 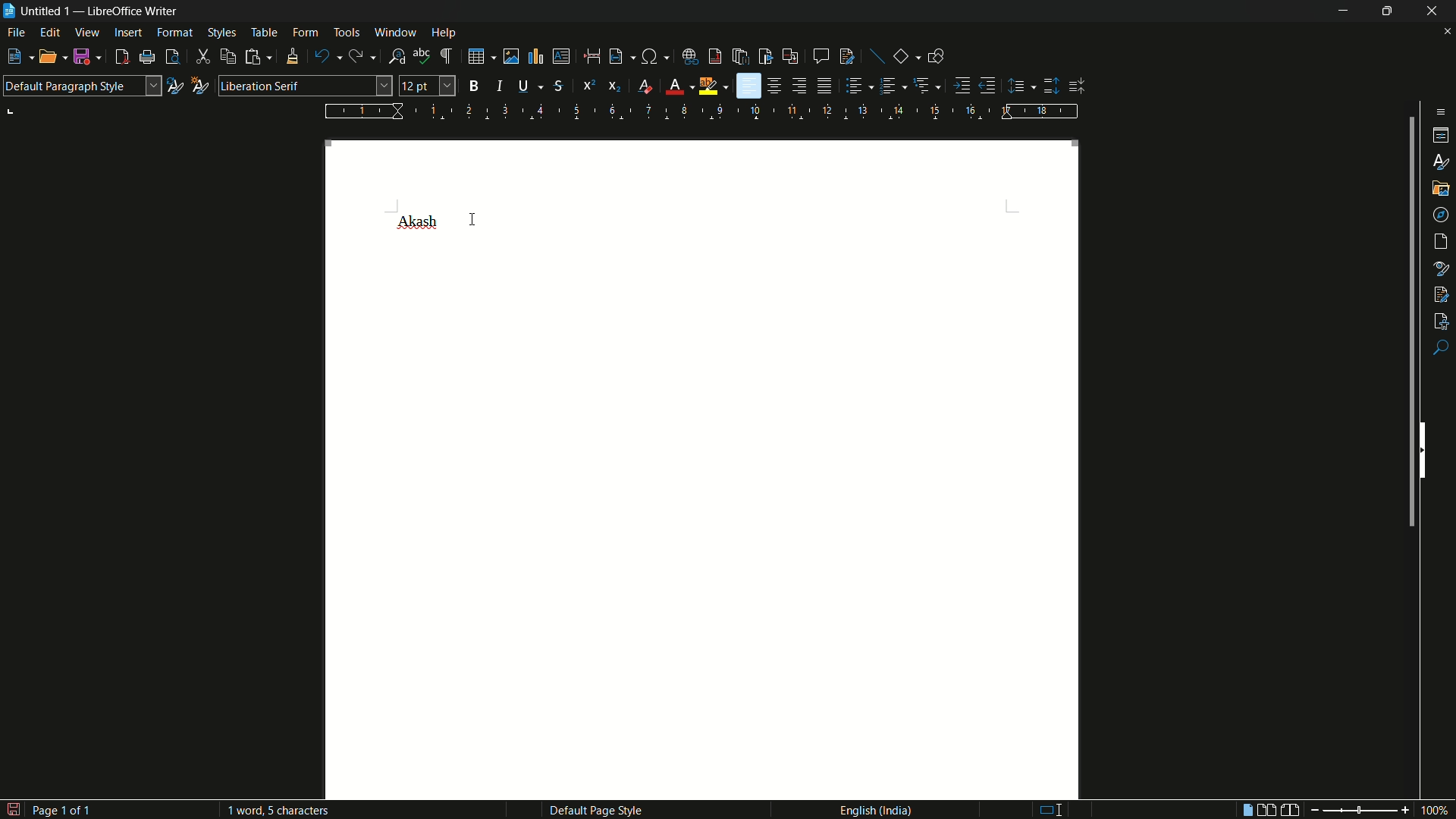 What do you see at coordinates (83, 58) in the screenshot?
I see `save file` at bounding box center [83, 58].